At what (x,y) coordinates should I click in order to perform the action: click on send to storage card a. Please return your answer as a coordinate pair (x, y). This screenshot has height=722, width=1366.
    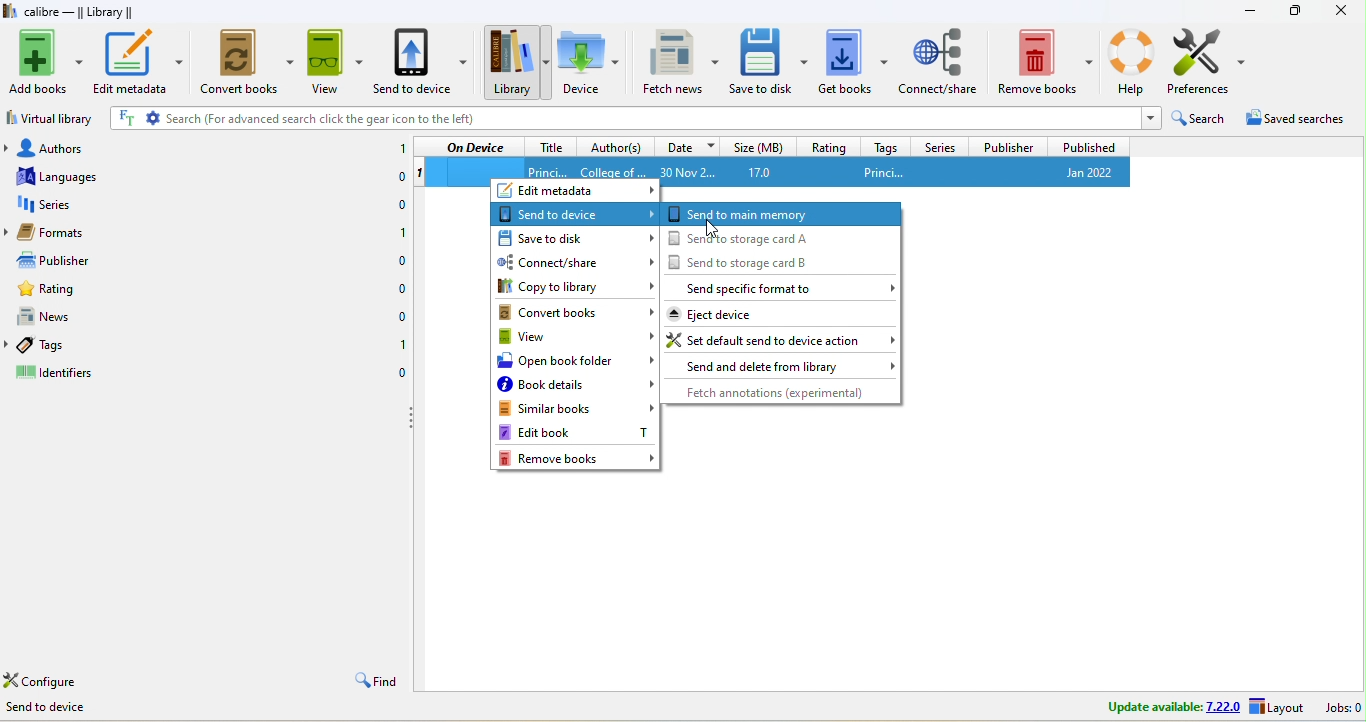
    Looking at the image, I should click on (783, 238).